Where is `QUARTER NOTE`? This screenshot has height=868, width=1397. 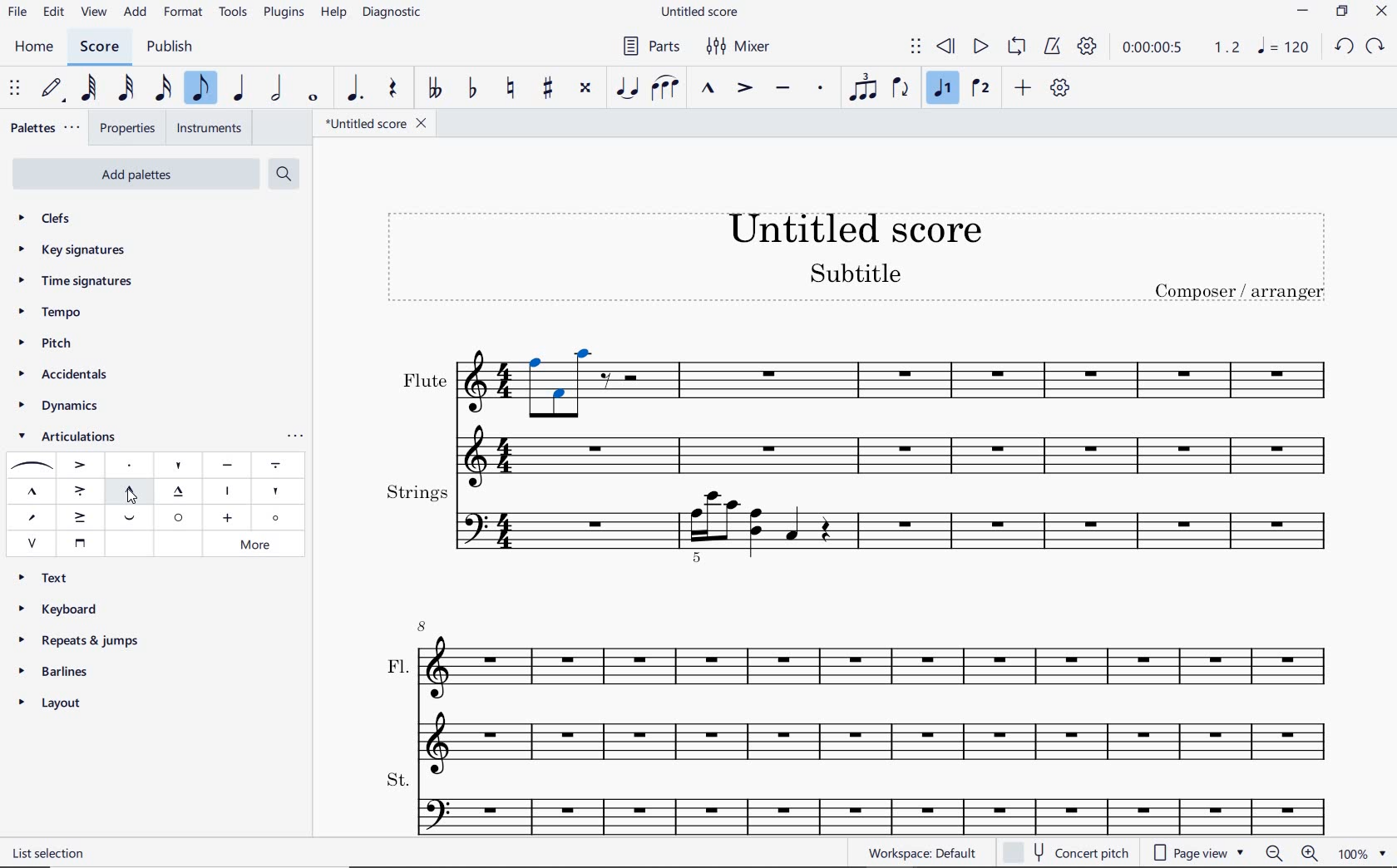
QUARTER NOTE is located at coordinates (239, 91).